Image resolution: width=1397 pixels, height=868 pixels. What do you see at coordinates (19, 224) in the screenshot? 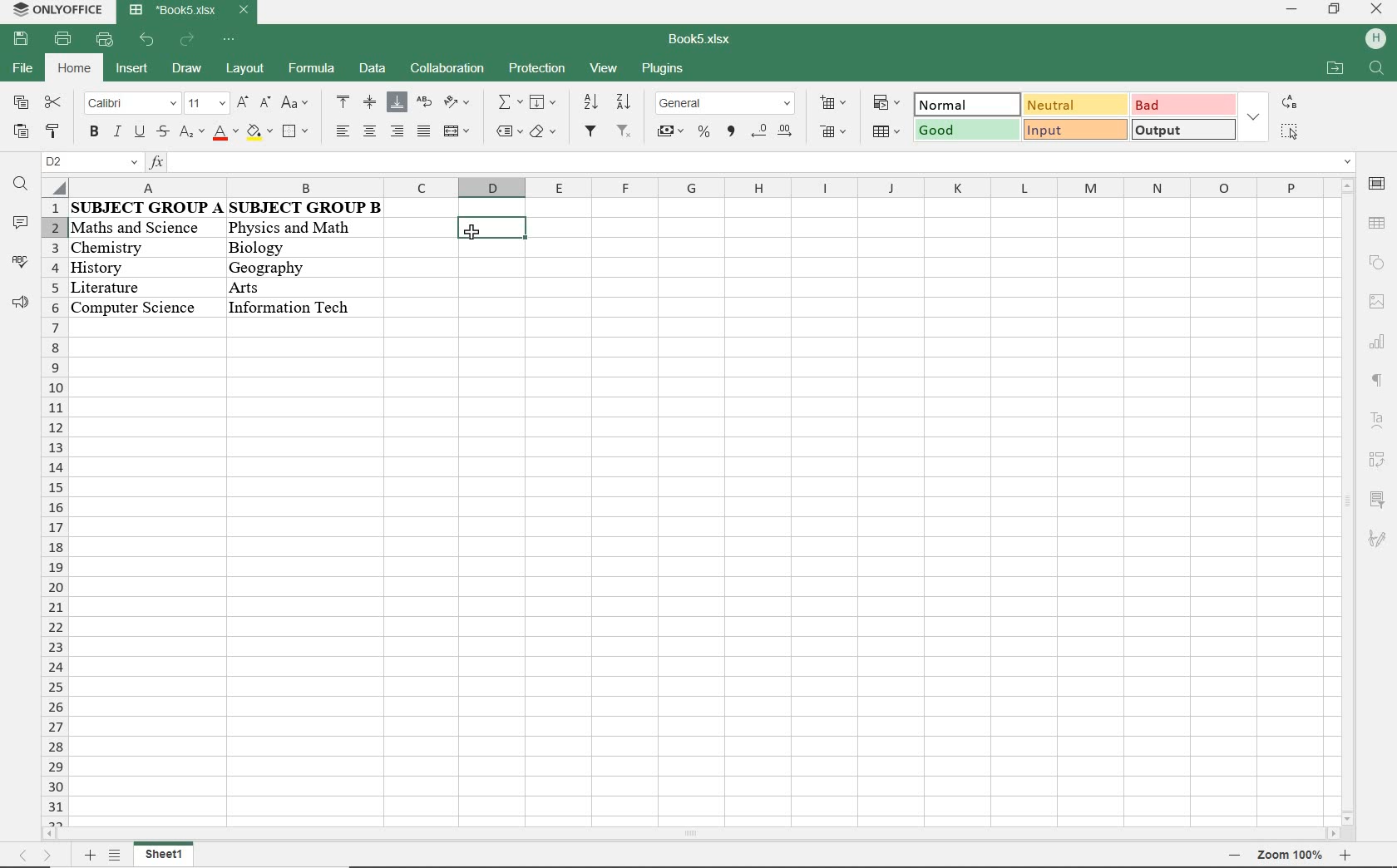
I see `comments` at bounding box center [19, 224].